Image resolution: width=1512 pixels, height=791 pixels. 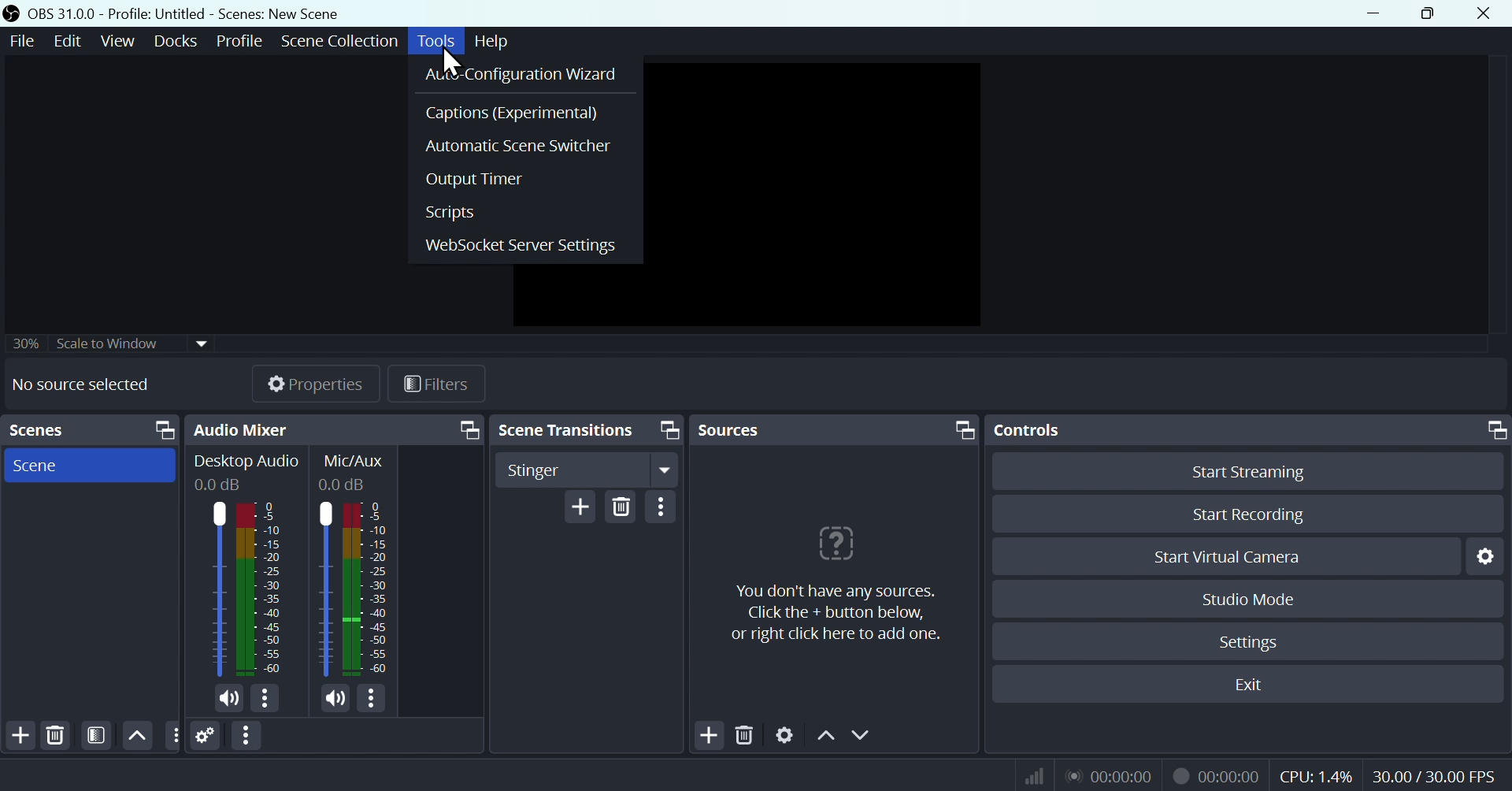 I want to click on Automatic scene switcher, so click(x=524, y=143).